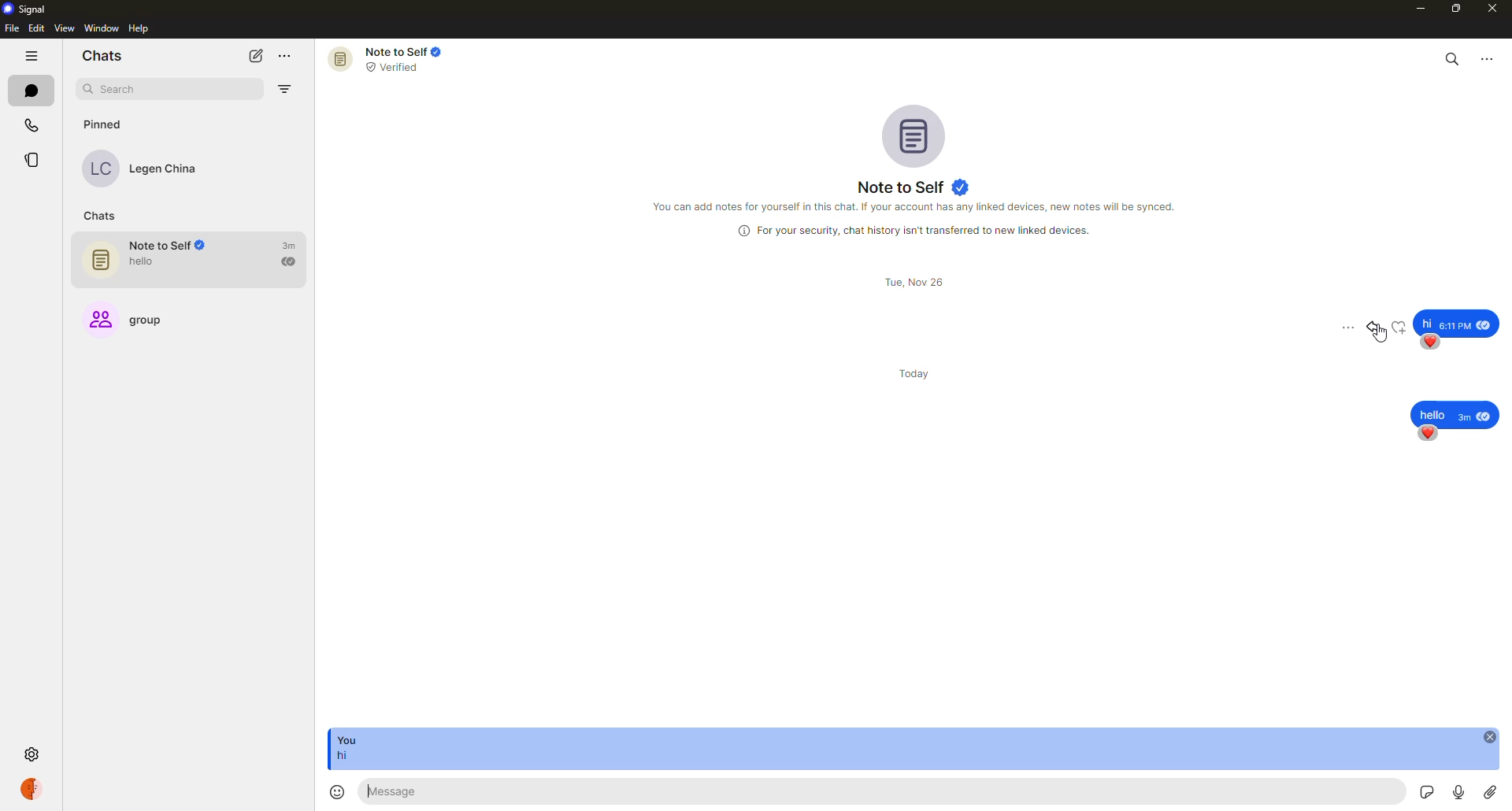 The width and height of the screenshot is (1512, 811). Describe the element at coordinates (104, 55) in the screenshot. I see `chats` at that location.